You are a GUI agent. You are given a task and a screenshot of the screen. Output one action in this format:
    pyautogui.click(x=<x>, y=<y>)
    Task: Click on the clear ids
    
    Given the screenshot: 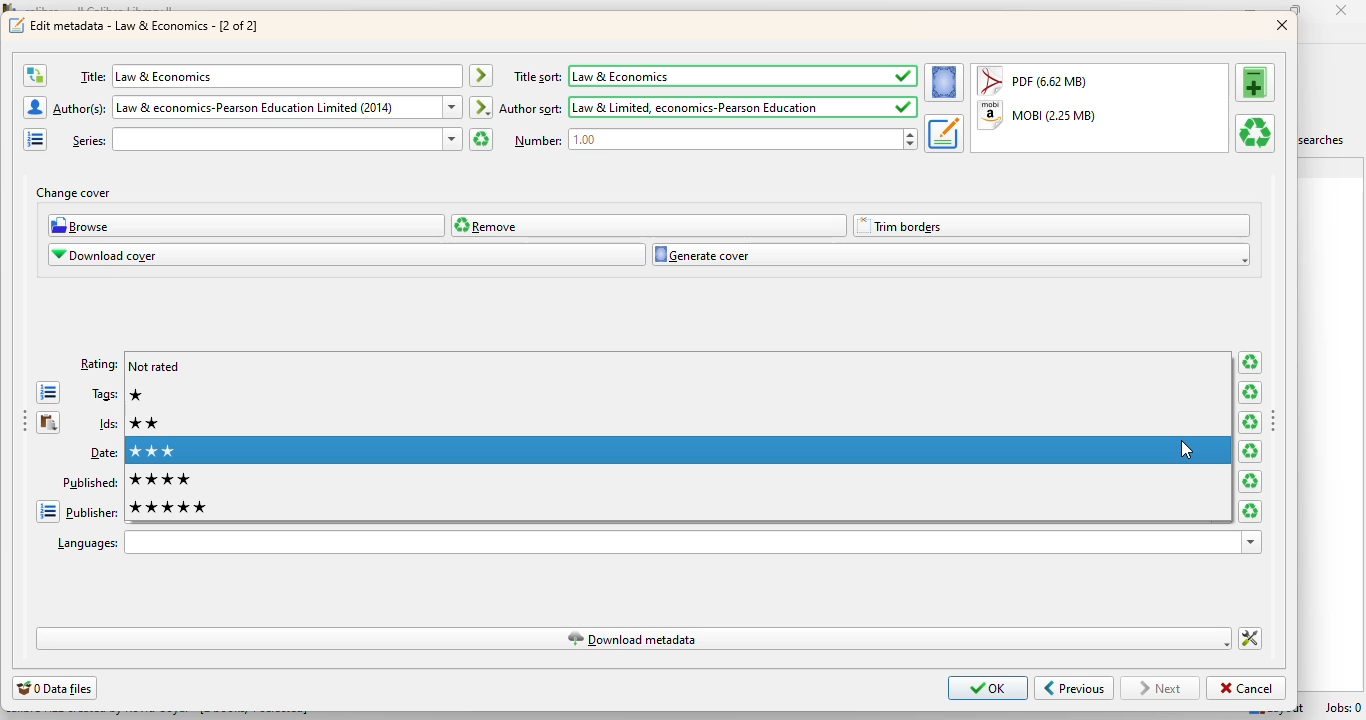 What is the action you would take?
    pyautogui.click(x=1249, y=423)
    